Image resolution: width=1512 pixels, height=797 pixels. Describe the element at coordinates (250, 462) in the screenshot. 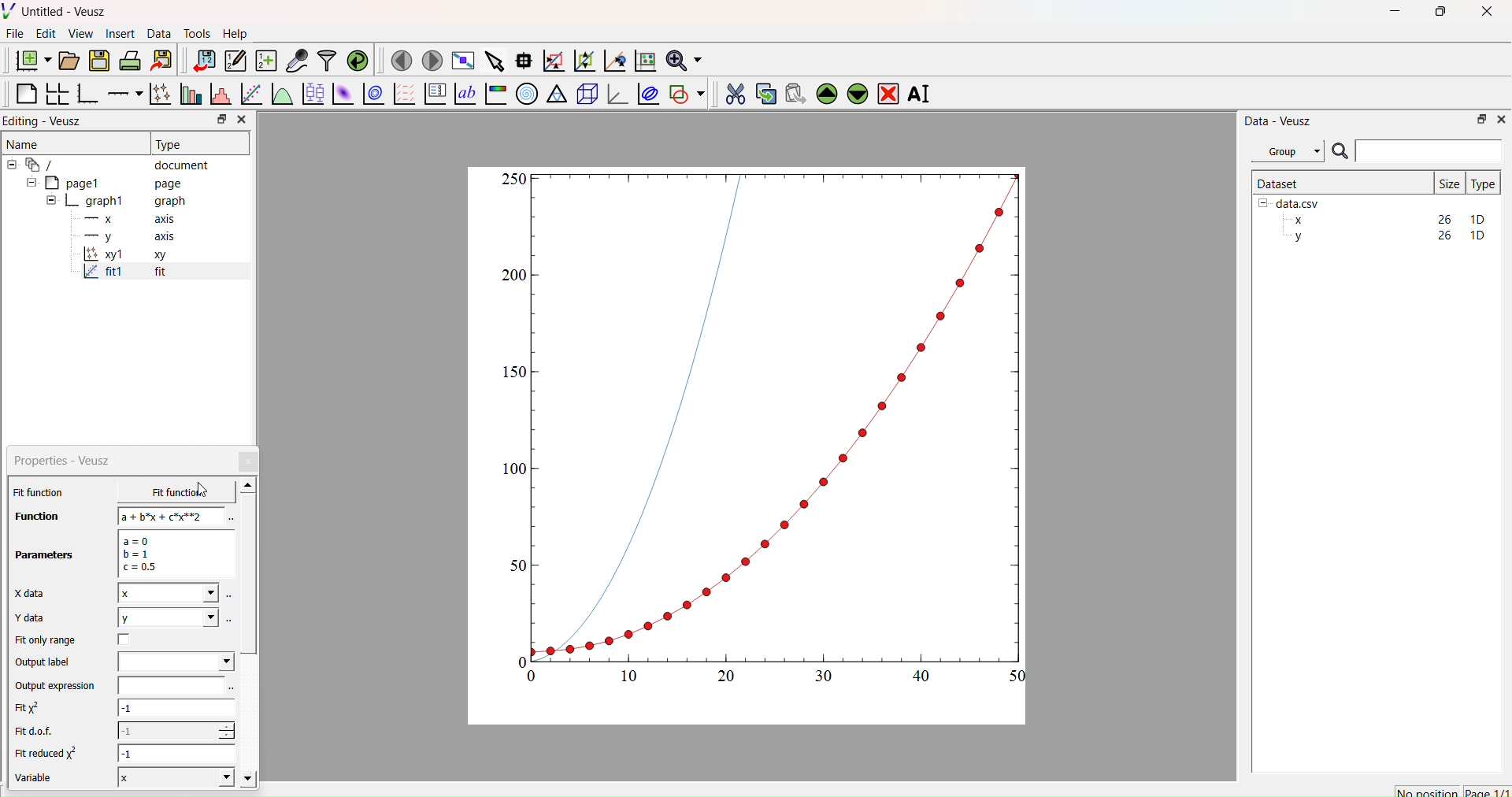

I see `Close` at that location.